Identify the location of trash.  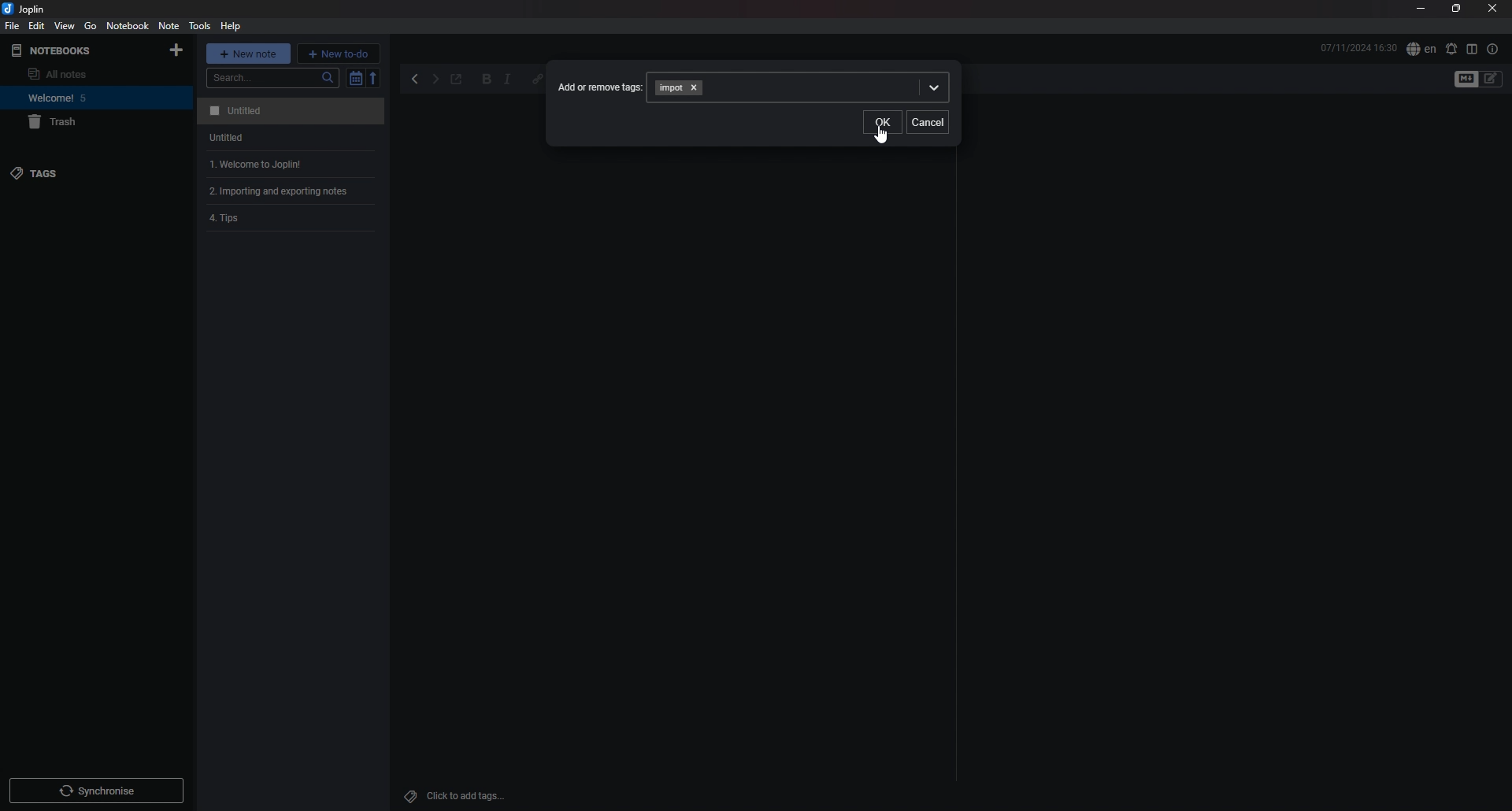
(83, 123).